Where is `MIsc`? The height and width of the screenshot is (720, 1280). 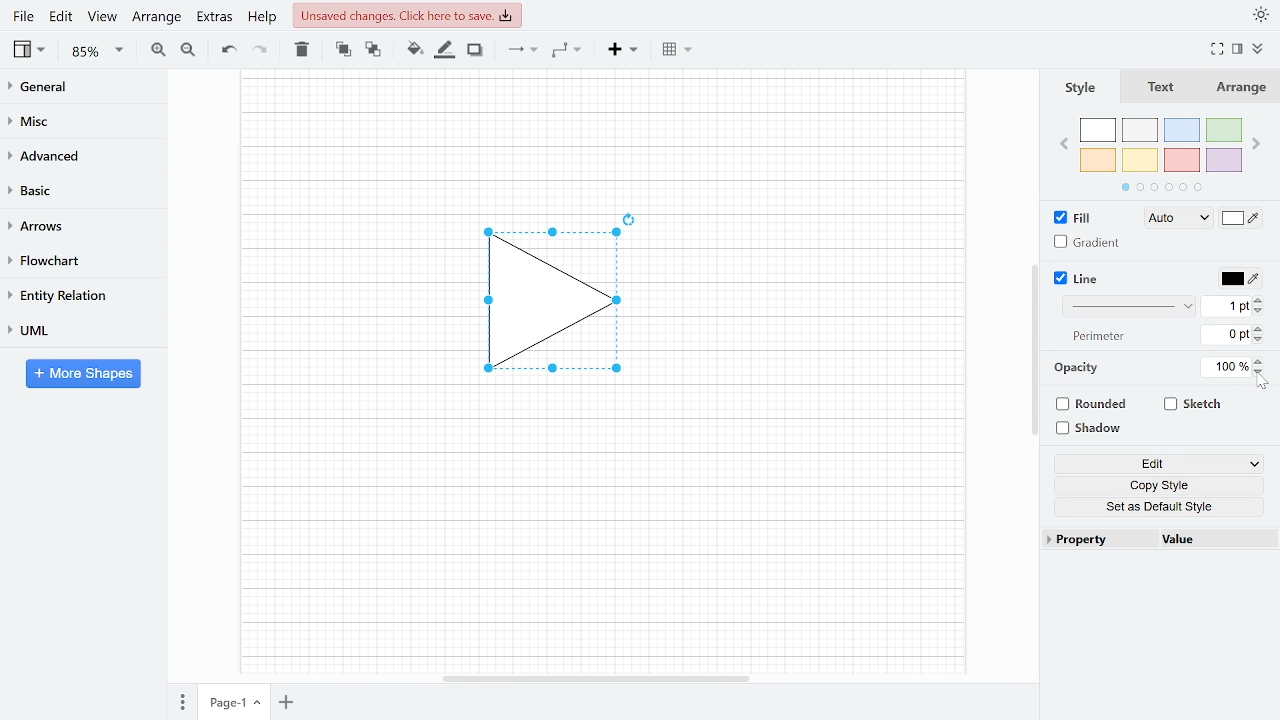 MIsc is located at coordinates (75, 120).